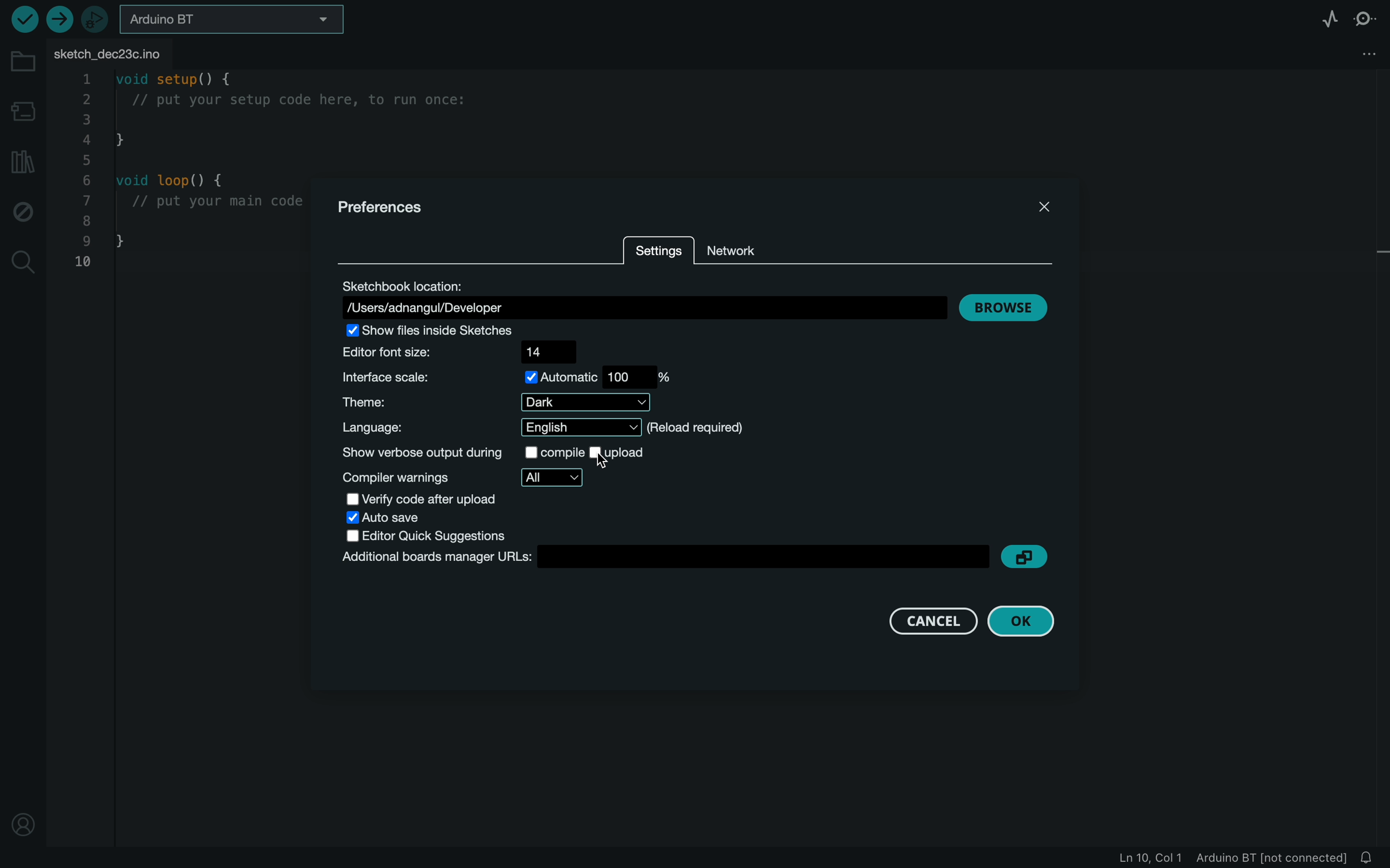  What do you see at coordinates (508, 377) in the screenshot?
I see `scale` at bounding box center [508, 377].